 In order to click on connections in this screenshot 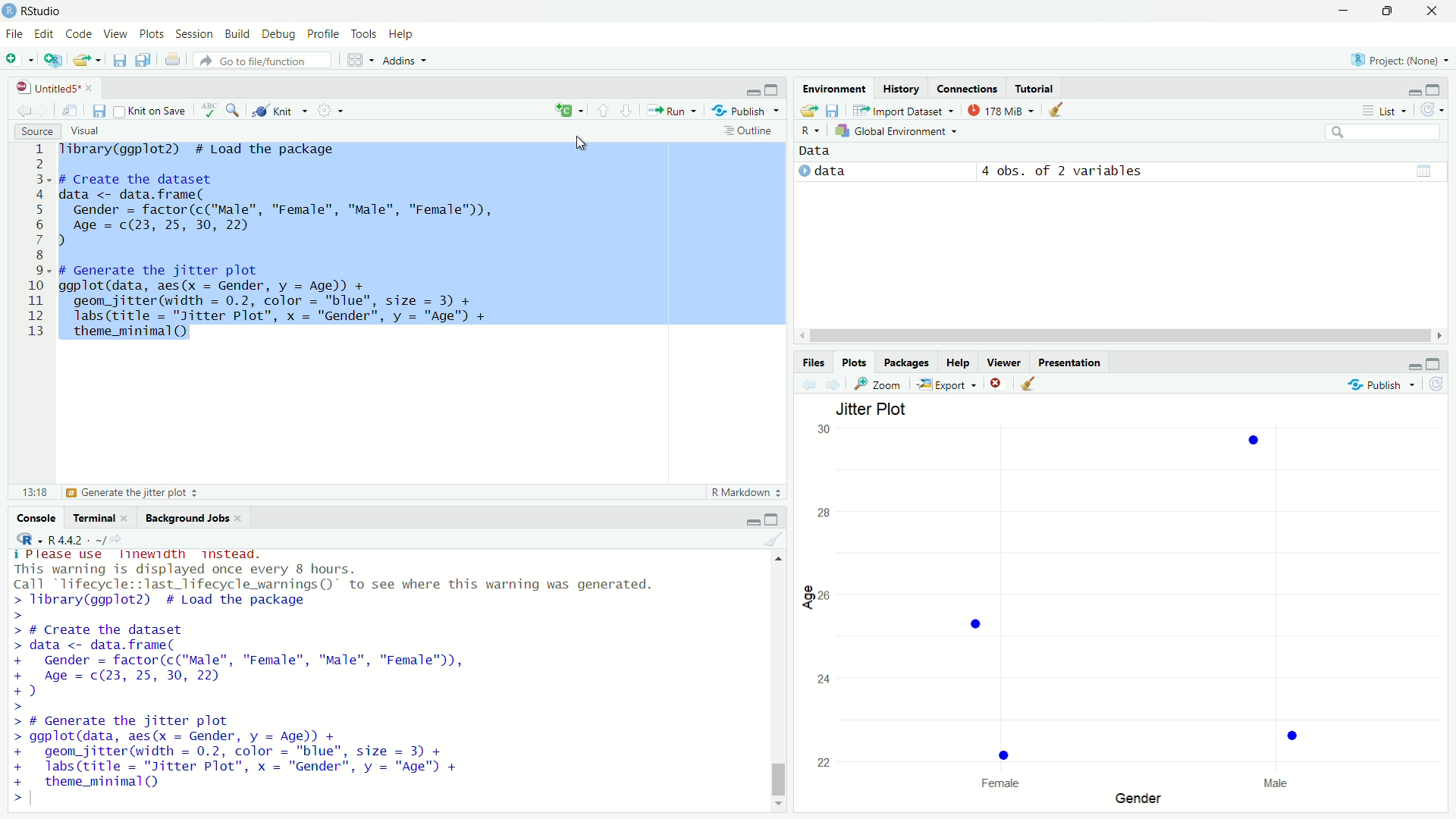, I will do `click(968, 87)`.